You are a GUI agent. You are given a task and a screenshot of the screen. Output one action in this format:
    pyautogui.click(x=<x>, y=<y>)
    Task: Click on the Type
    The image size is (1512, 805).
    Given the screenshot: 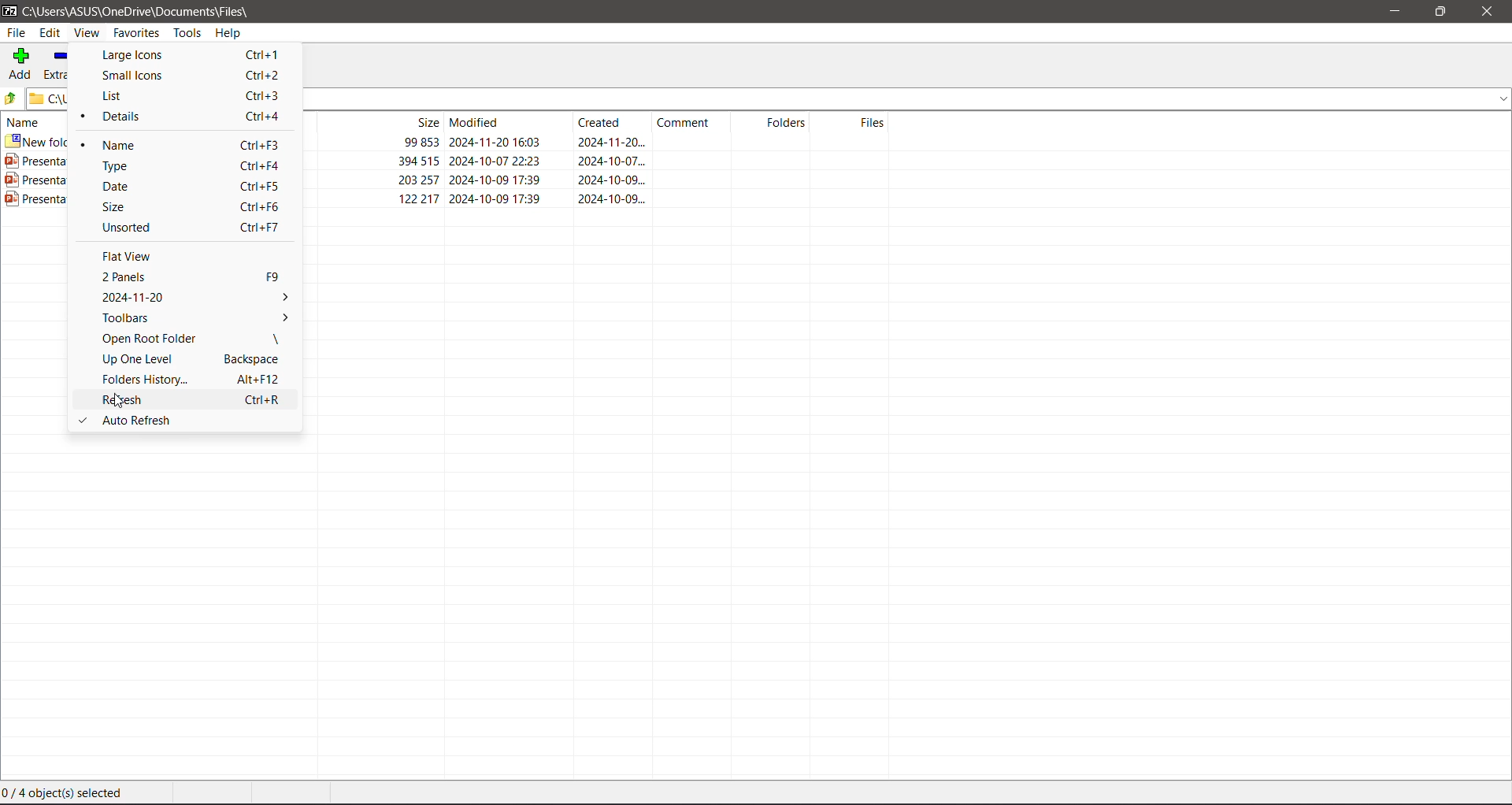 What is the action you would take?
    pyautogui.click(x=138, y=165)
    